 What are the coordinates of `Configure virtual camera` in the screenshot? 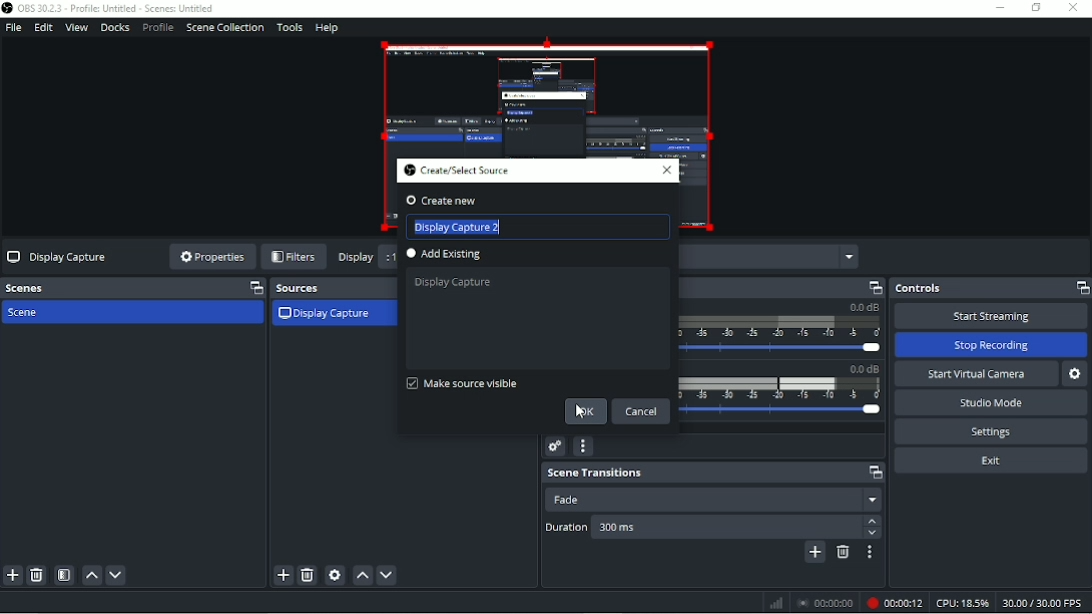 It's located at (1075, 374).